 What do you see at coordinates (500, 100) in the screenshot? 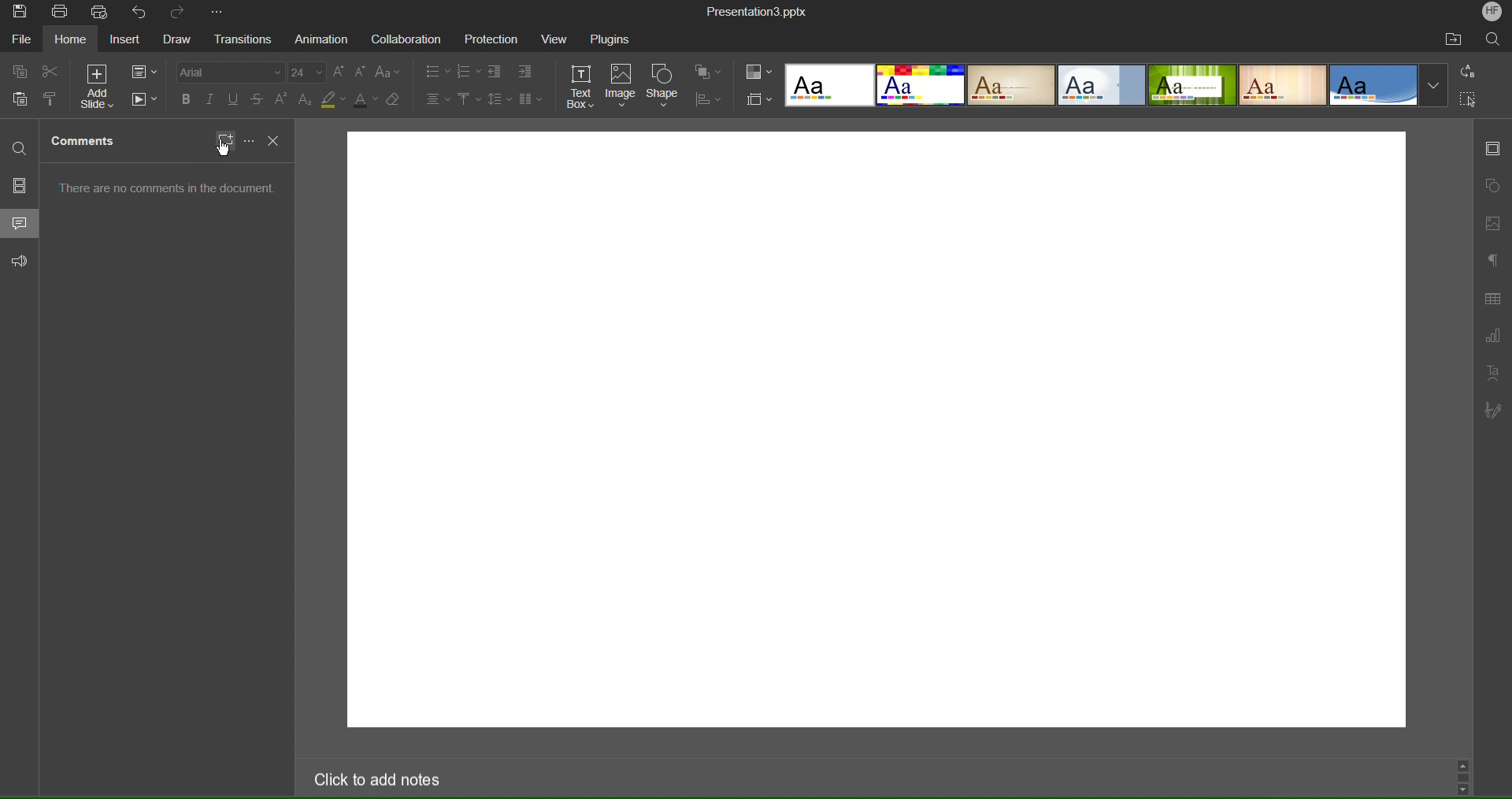
I see `Line Spacing` at bounding box center [500, 100].